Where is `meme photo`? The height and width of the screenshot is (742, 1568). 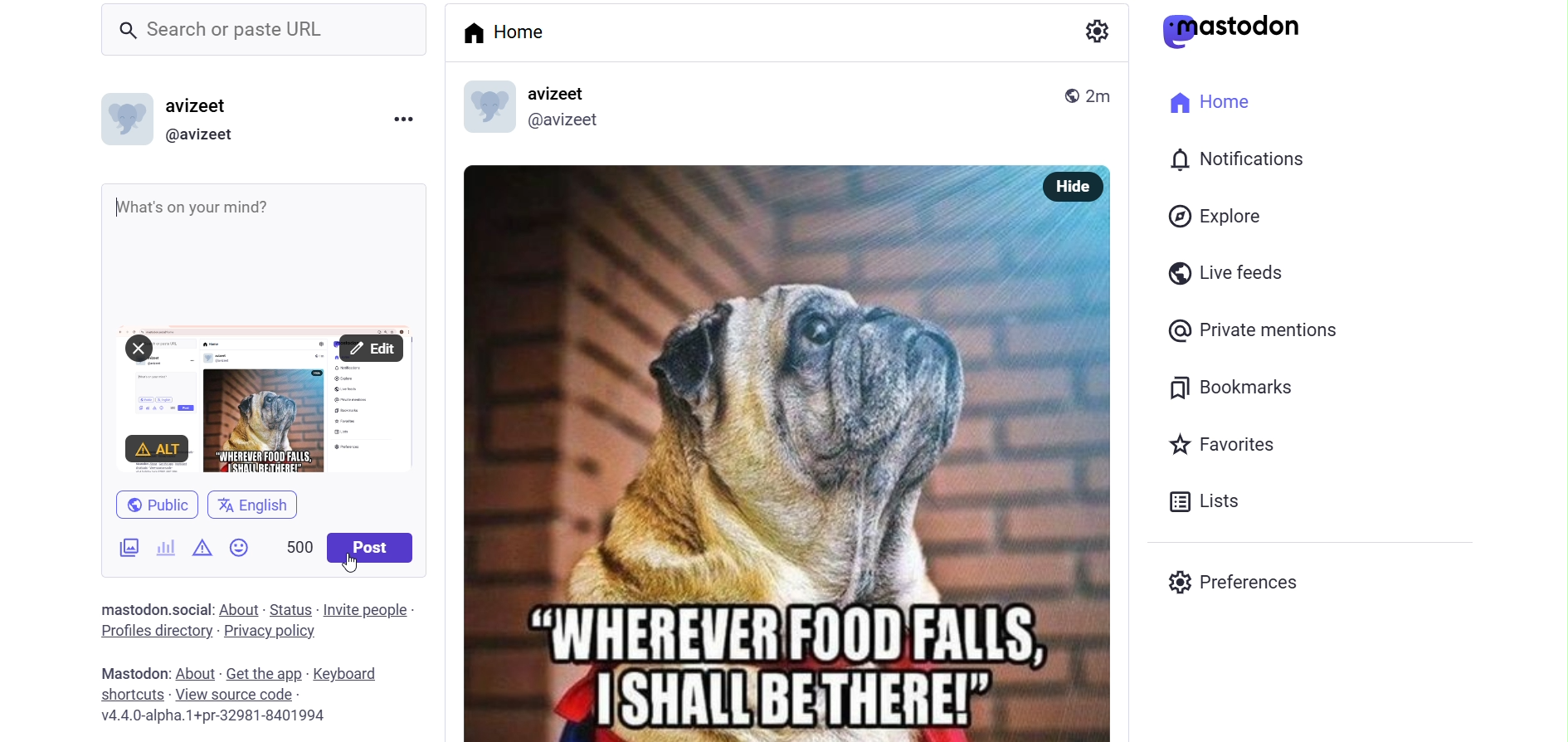
meme photo is located at coordinates (791, 477).